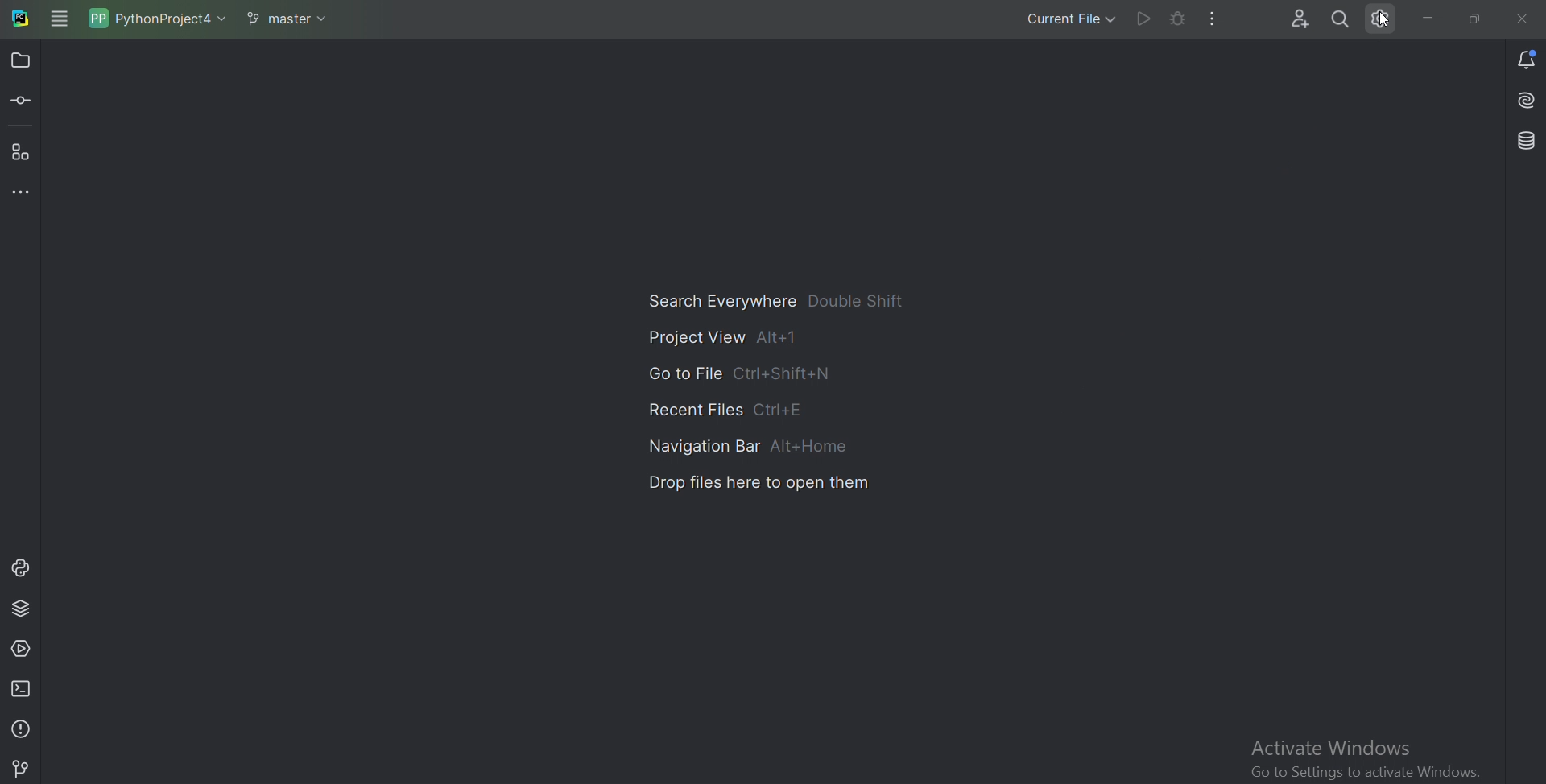 Image resolution: width=1546 pixels, height=784 pixels. What do you see at coordinates (1340, 20) in the screenshot?
I see `Search Everywhere` at bounding box center [1340, 20].